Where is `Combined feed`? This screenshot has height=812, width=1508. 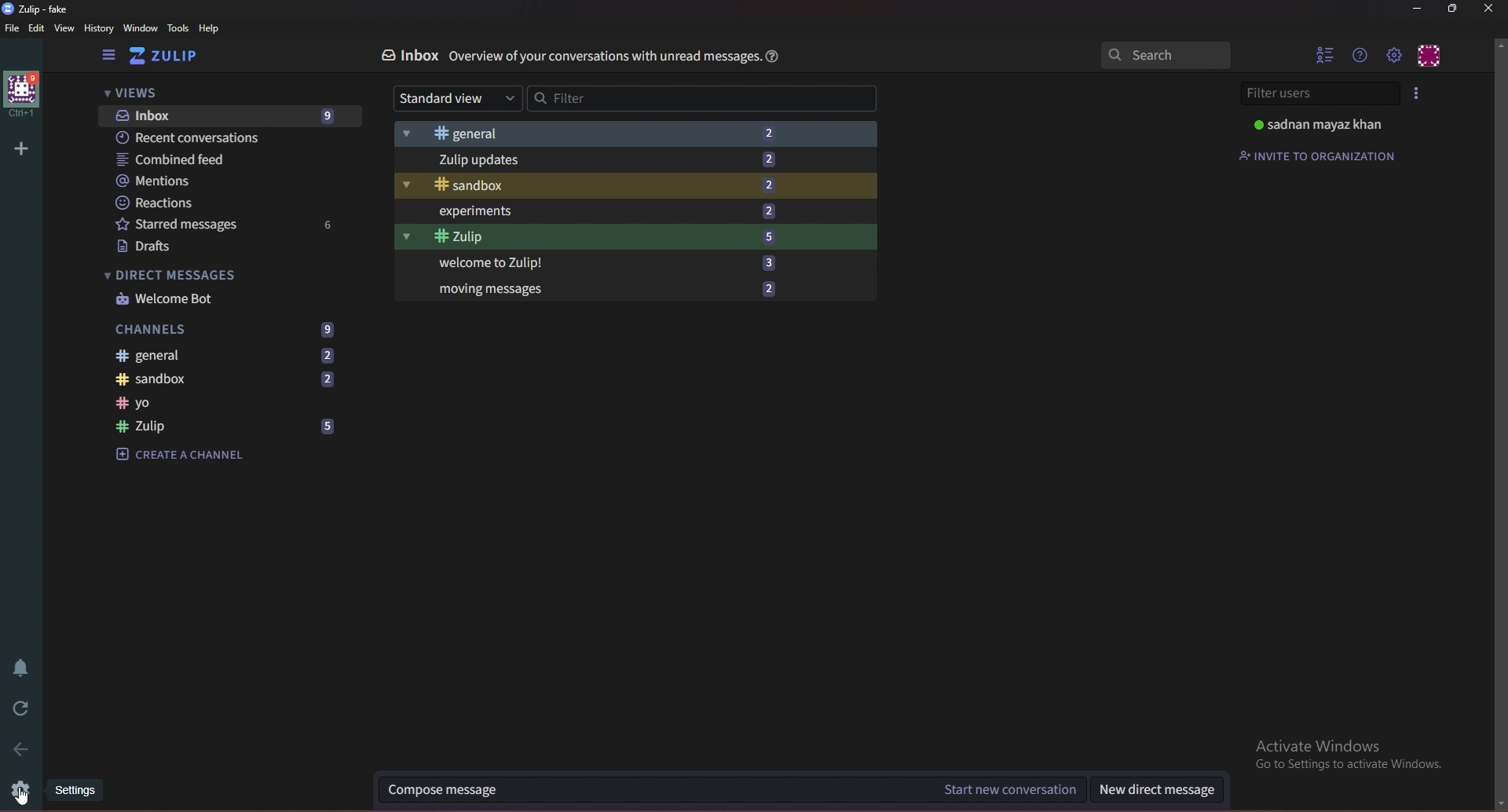 Combined feed is located at coordinates (217, 161).